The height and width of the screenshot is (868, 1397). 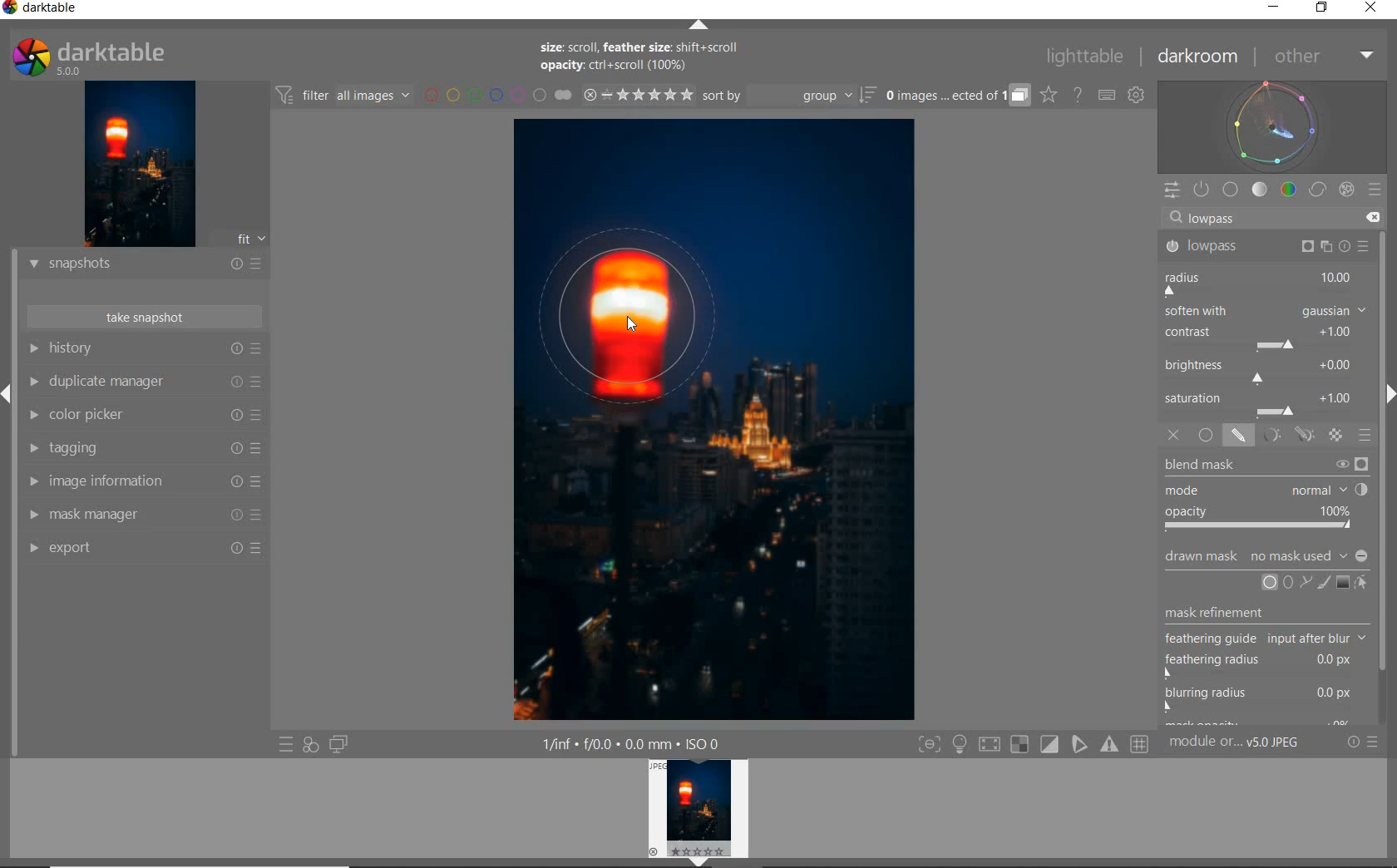 I want to click on COLOR PICKER, so click(x=146, y=416).